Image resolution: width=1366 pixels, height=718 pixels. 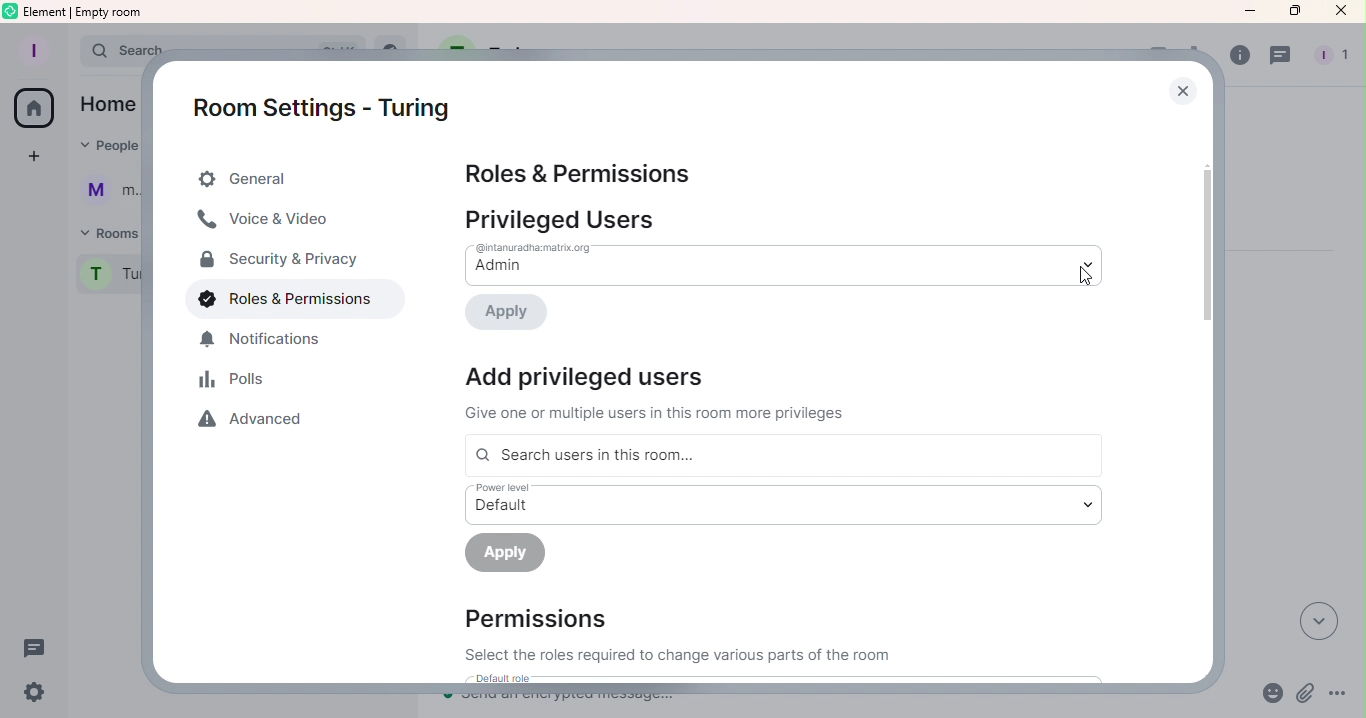 What do you see at coordinates (1336, 696) in the screenshot?
I see `More options` at bounding box center [1336, 696].